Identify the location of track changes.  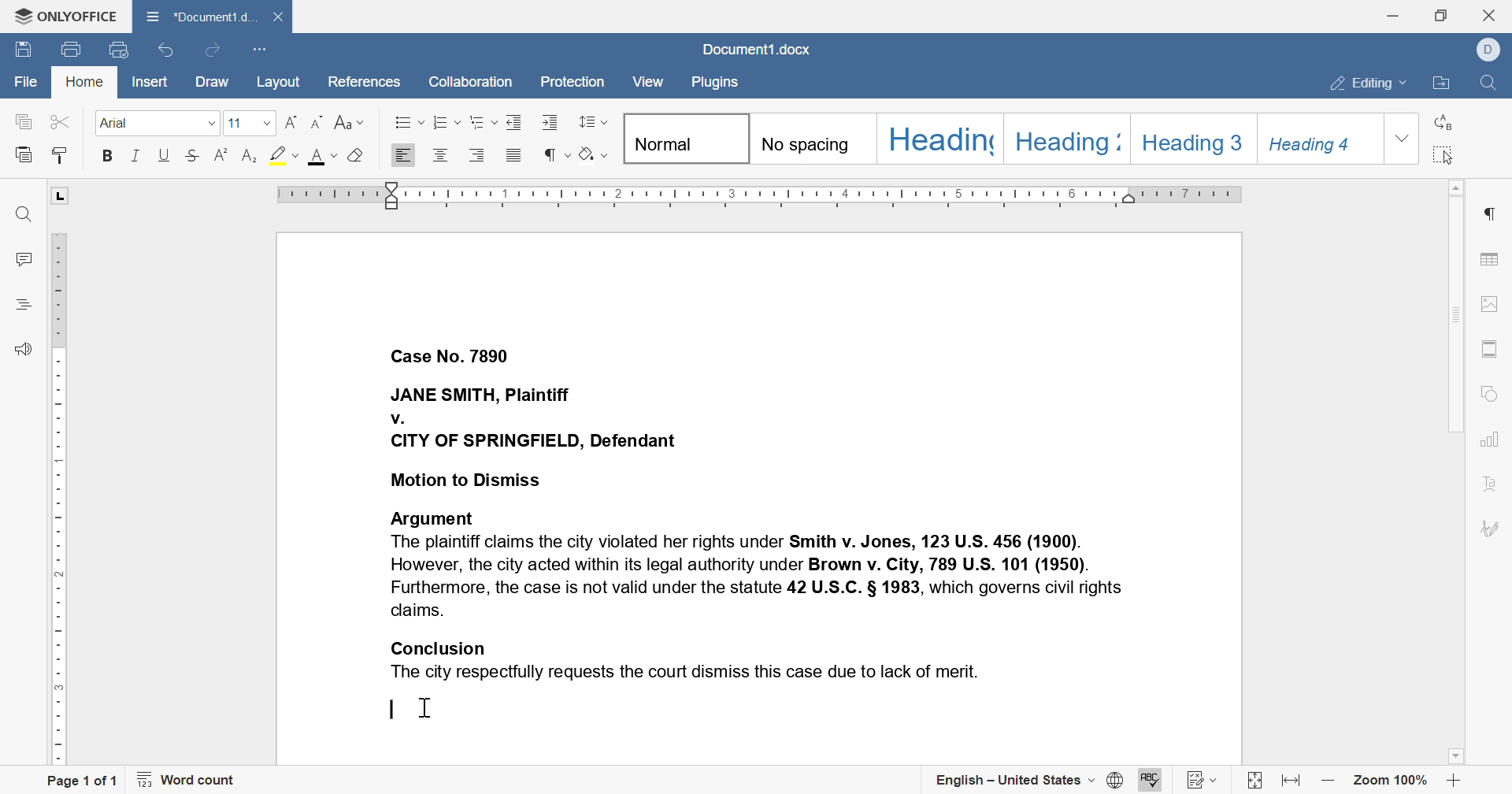
(1203, 781).